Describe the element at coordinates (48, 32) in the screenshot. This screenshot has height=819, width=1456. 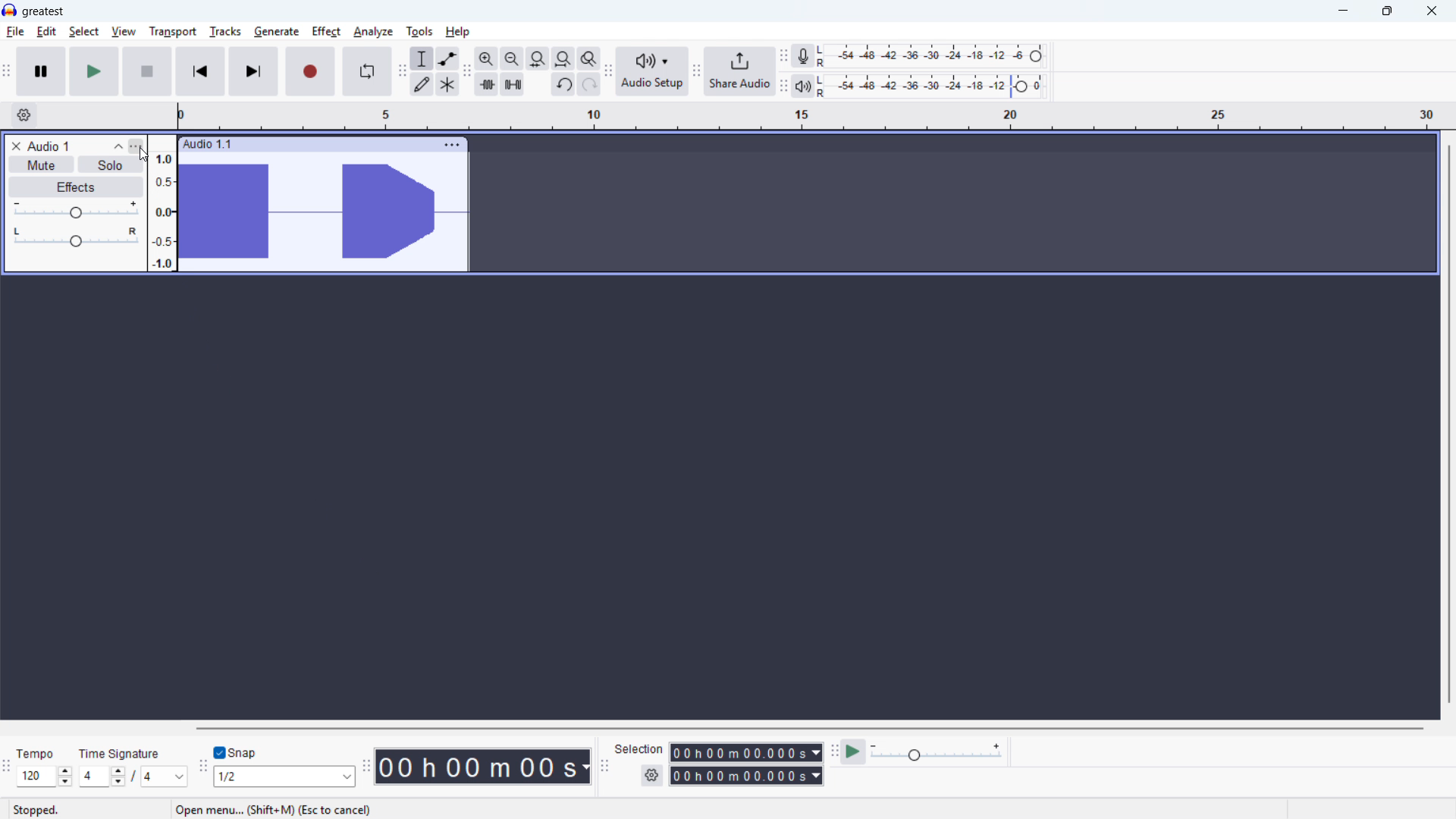
I see `Edit ` at that location.